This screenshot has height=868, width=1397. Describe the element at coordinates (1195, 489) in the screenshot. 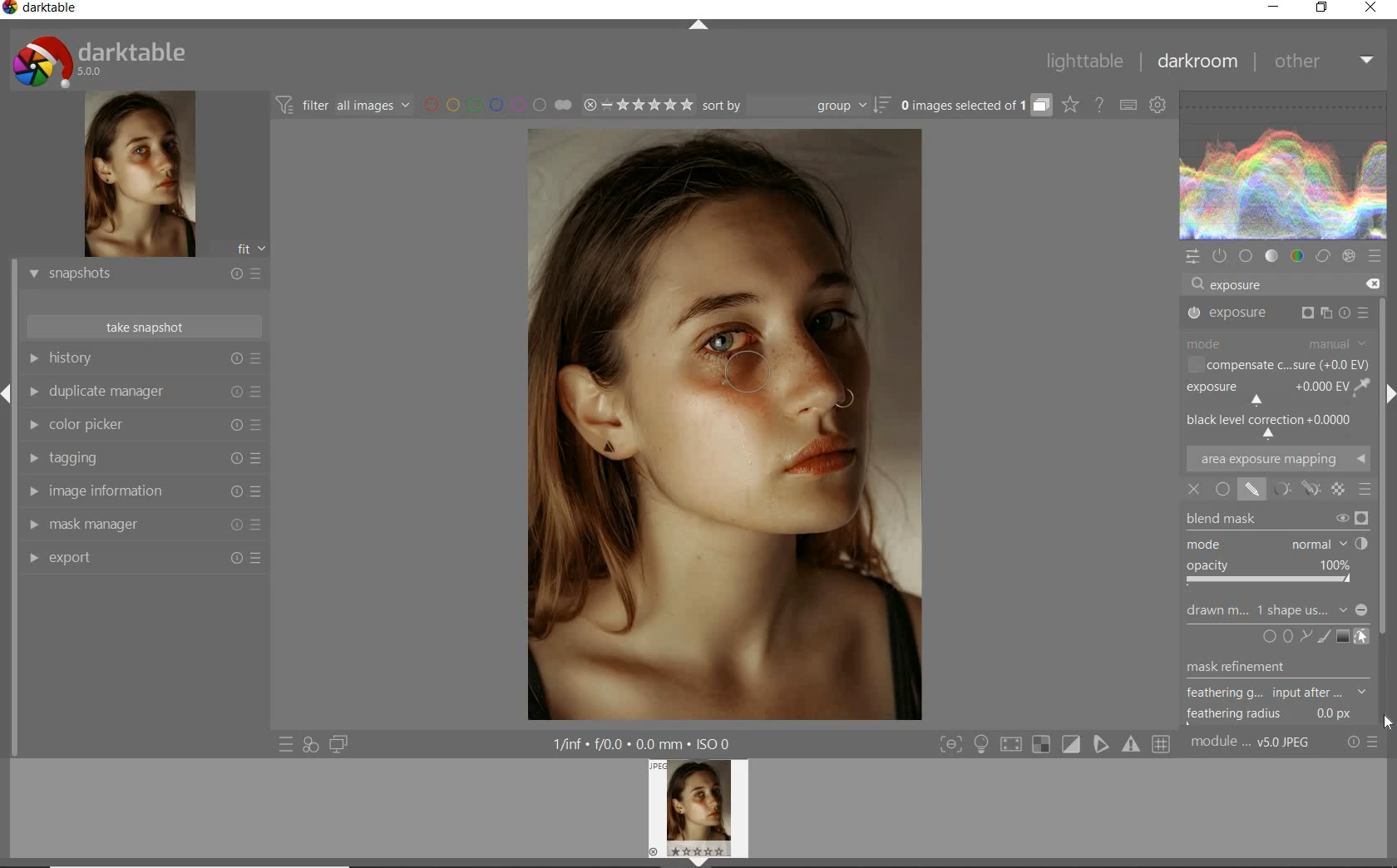

I see `OFF` at that location.